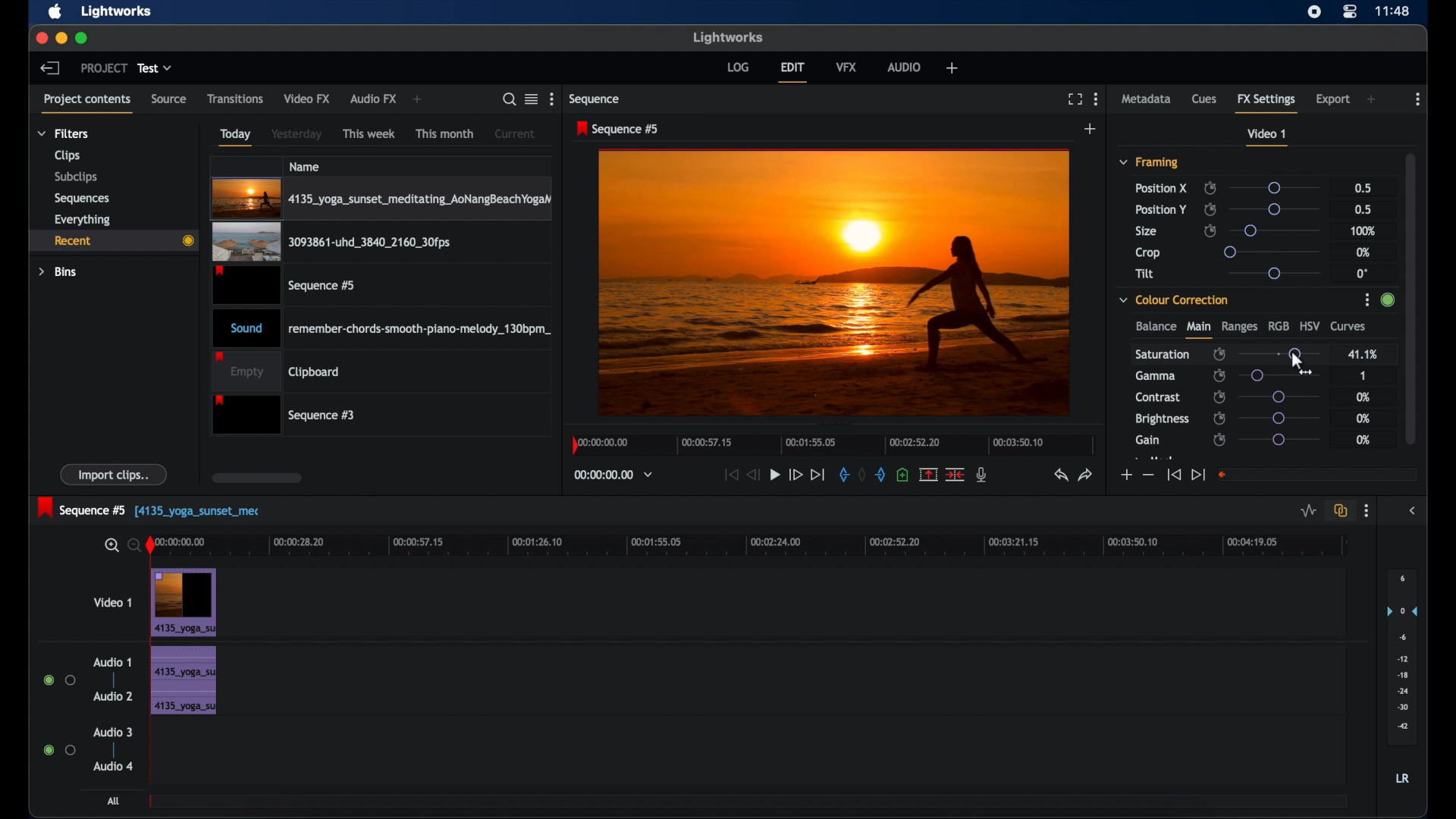 This screenshot has height=819, width=1456. What do you see at coordinates (1268, 137) in the screenshot?
I see `video 1` at bounding box center [1268, 137].